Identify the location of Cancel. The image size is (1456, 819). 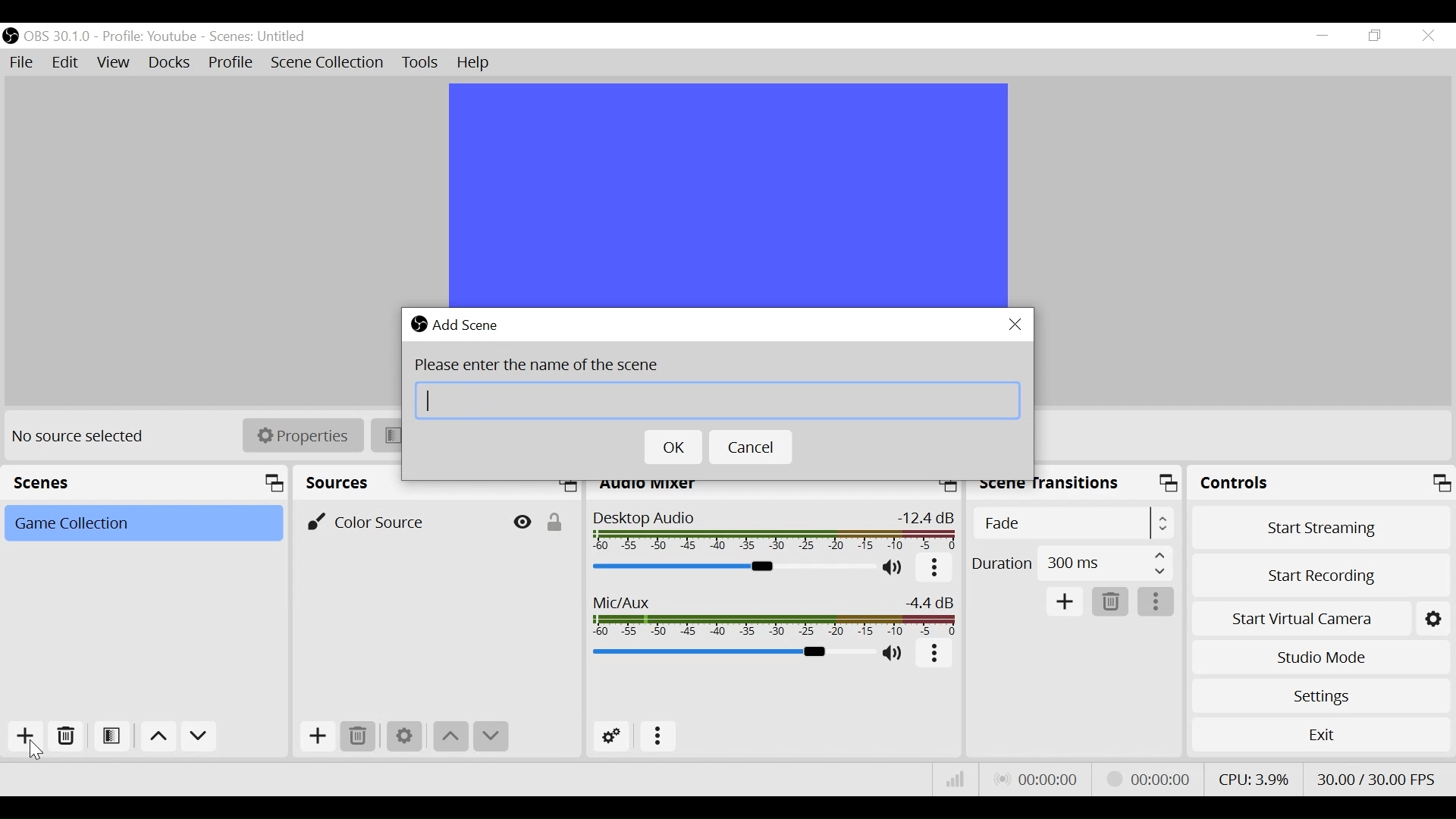
(752, 447).